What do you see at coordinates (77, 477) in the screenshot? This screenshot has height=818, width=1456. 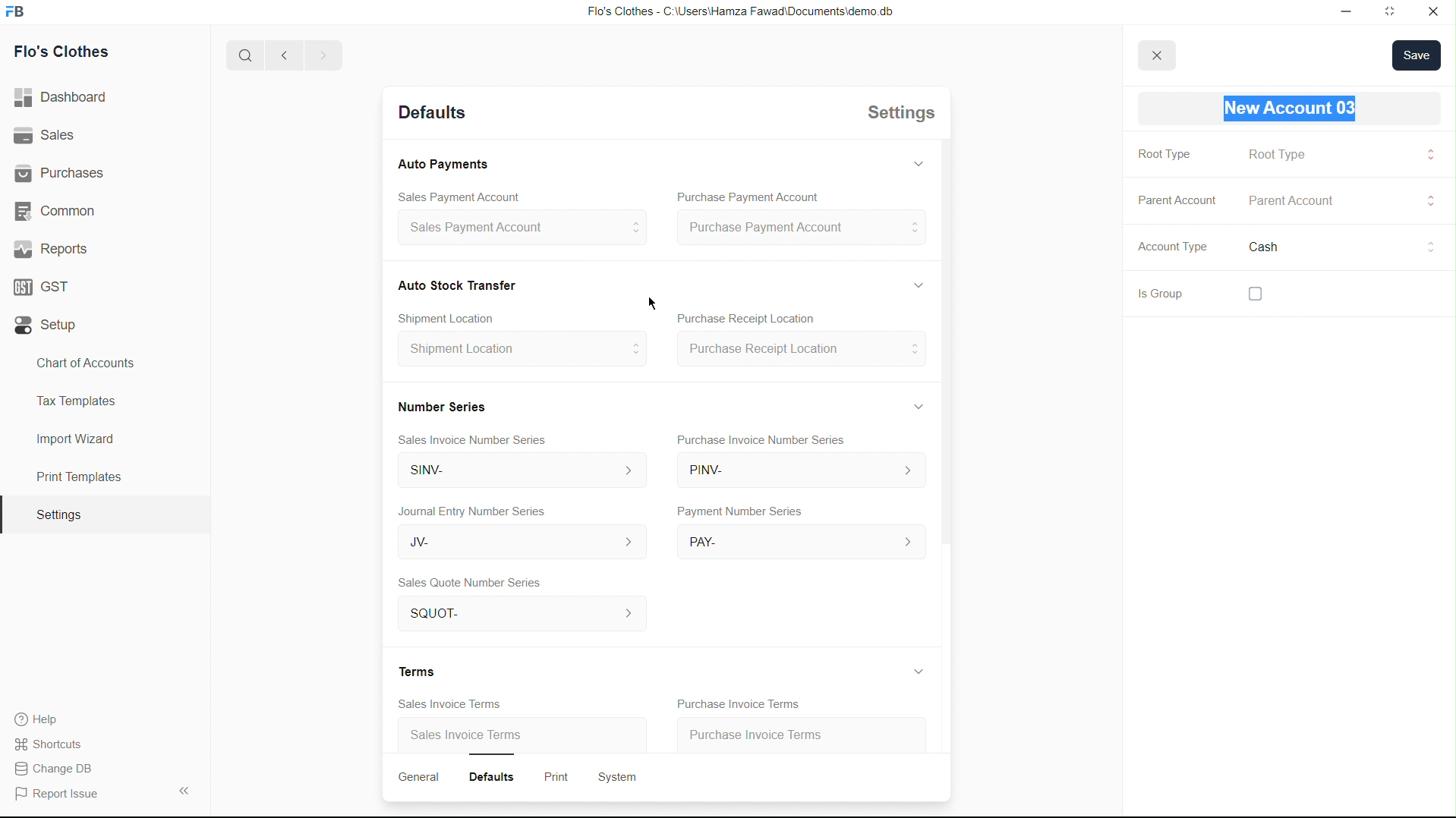 I see `Print Templates` at bounding box center [77, 477].